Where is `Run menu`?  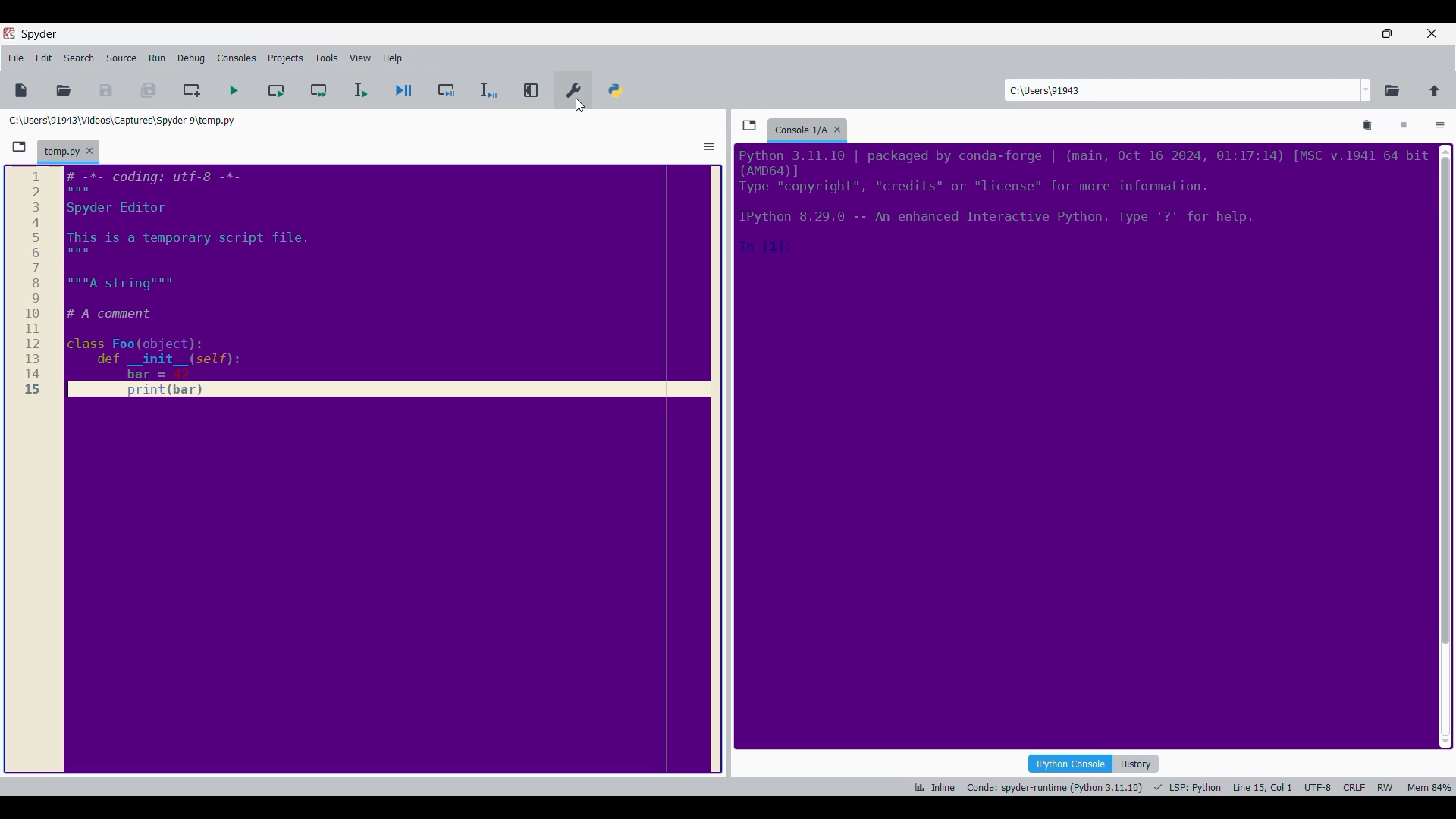 Run menu is located at coordinates (157, 58).